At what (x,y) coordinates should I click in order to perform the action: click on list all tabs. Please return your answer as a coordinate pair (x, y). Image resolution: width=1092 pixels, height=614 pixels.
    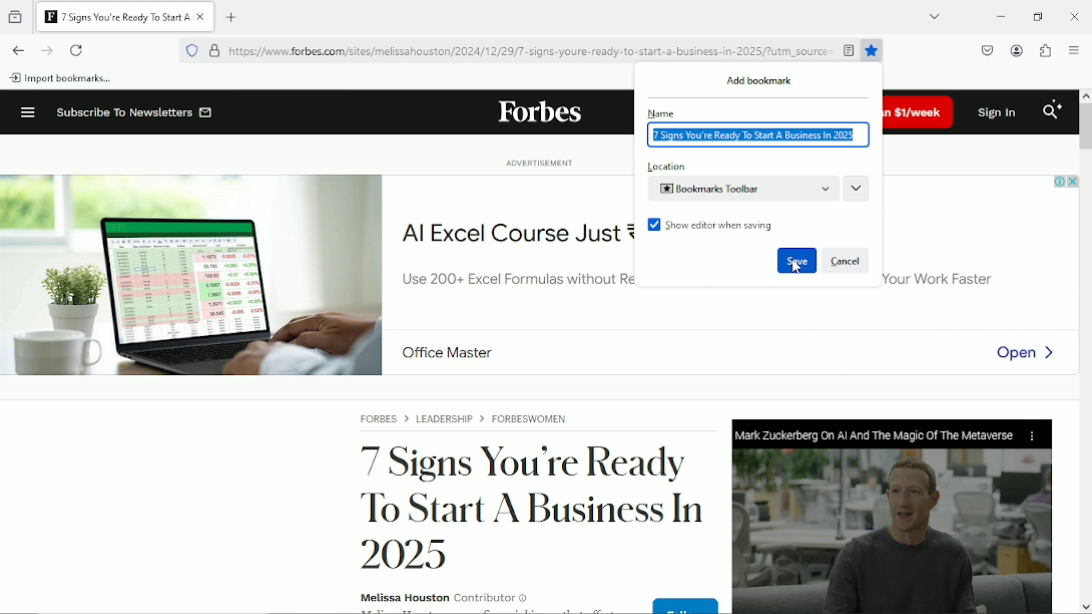
    Looking at the image, I should click on (934, 16).